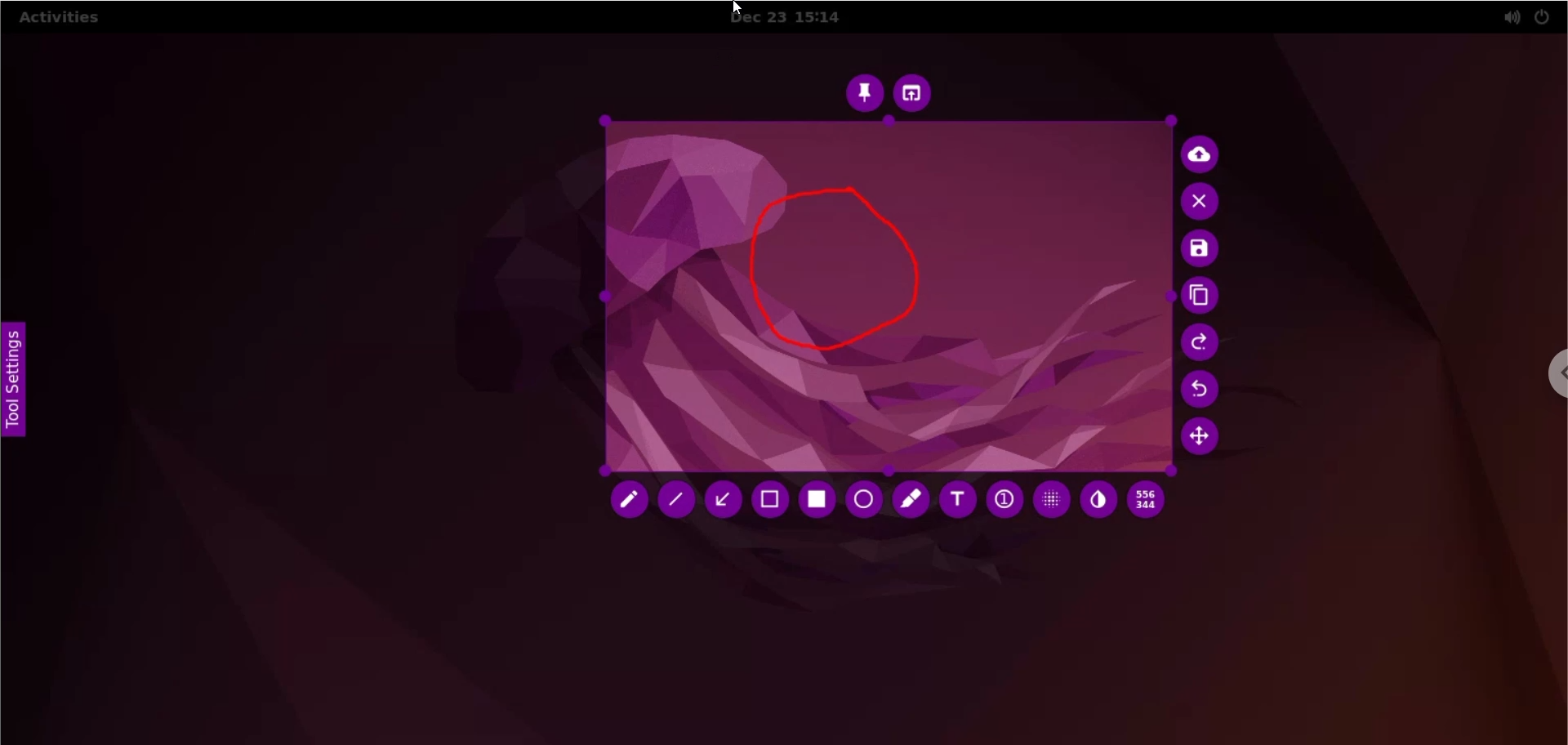 The image size is (1568, 745). What do you see at coordinates (959, 502) in the screenshot?
I see `text tool` at bounding box center [959, 502].